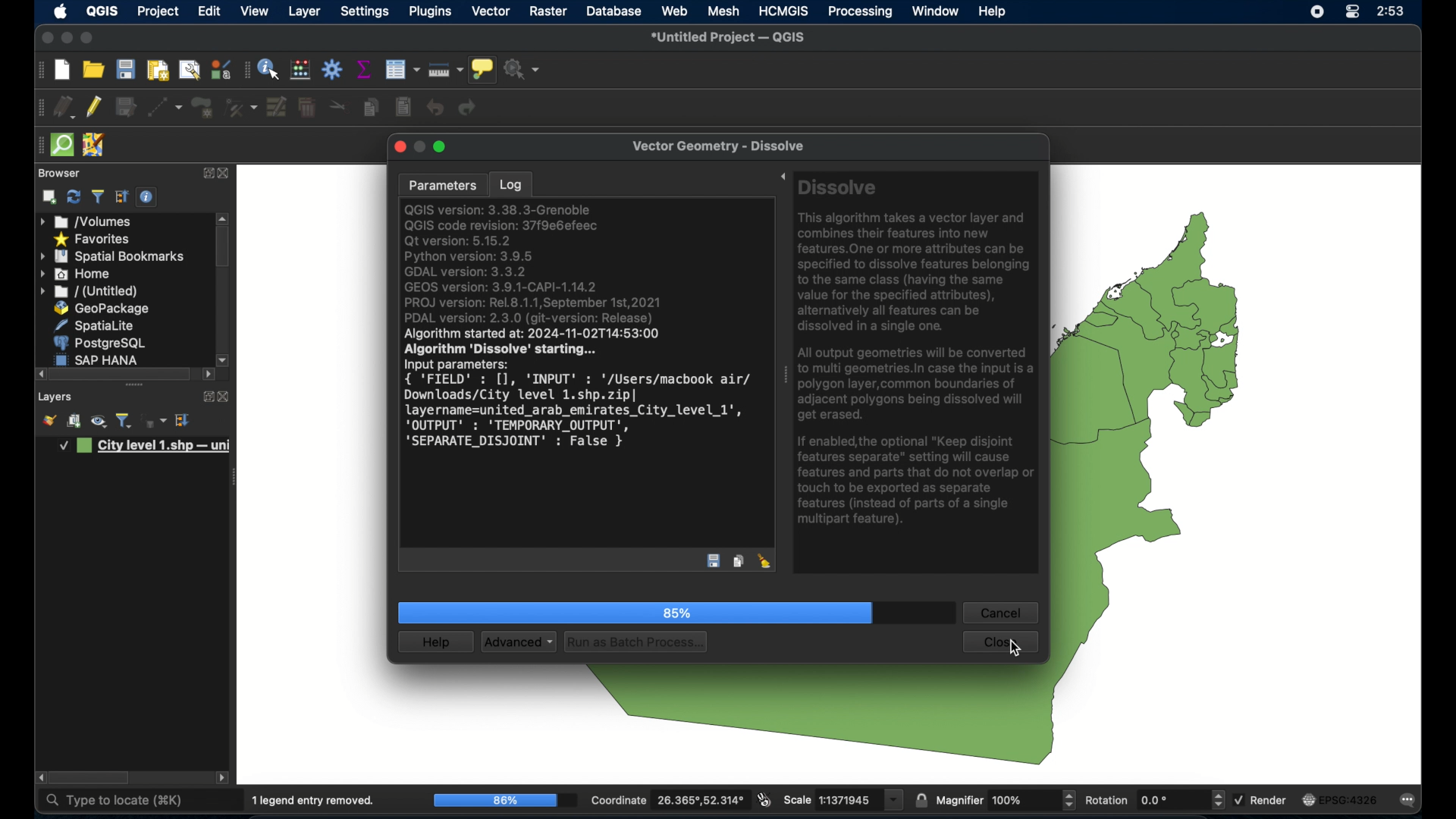 The image size is (1456, 819). I want to click on cut features, so click(337, 106).